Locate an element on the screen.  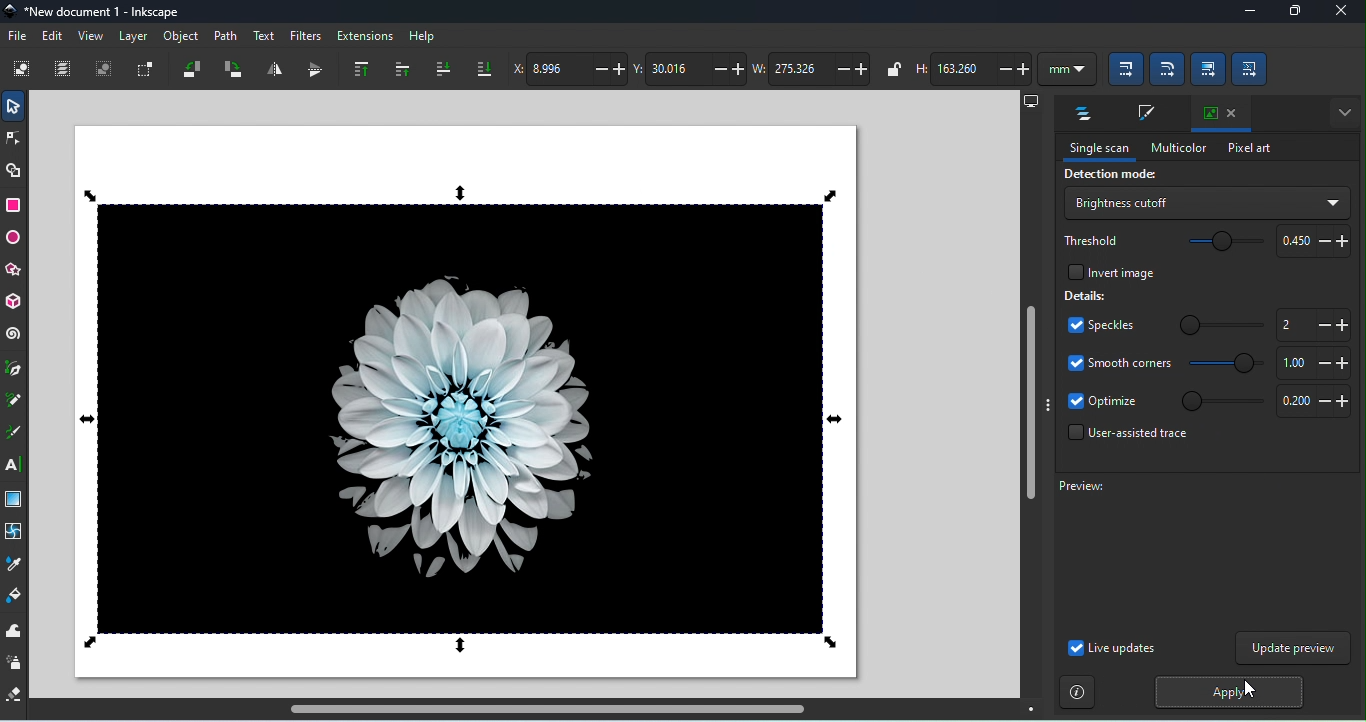
Select all in all layers is located at coordinates (65, 69).